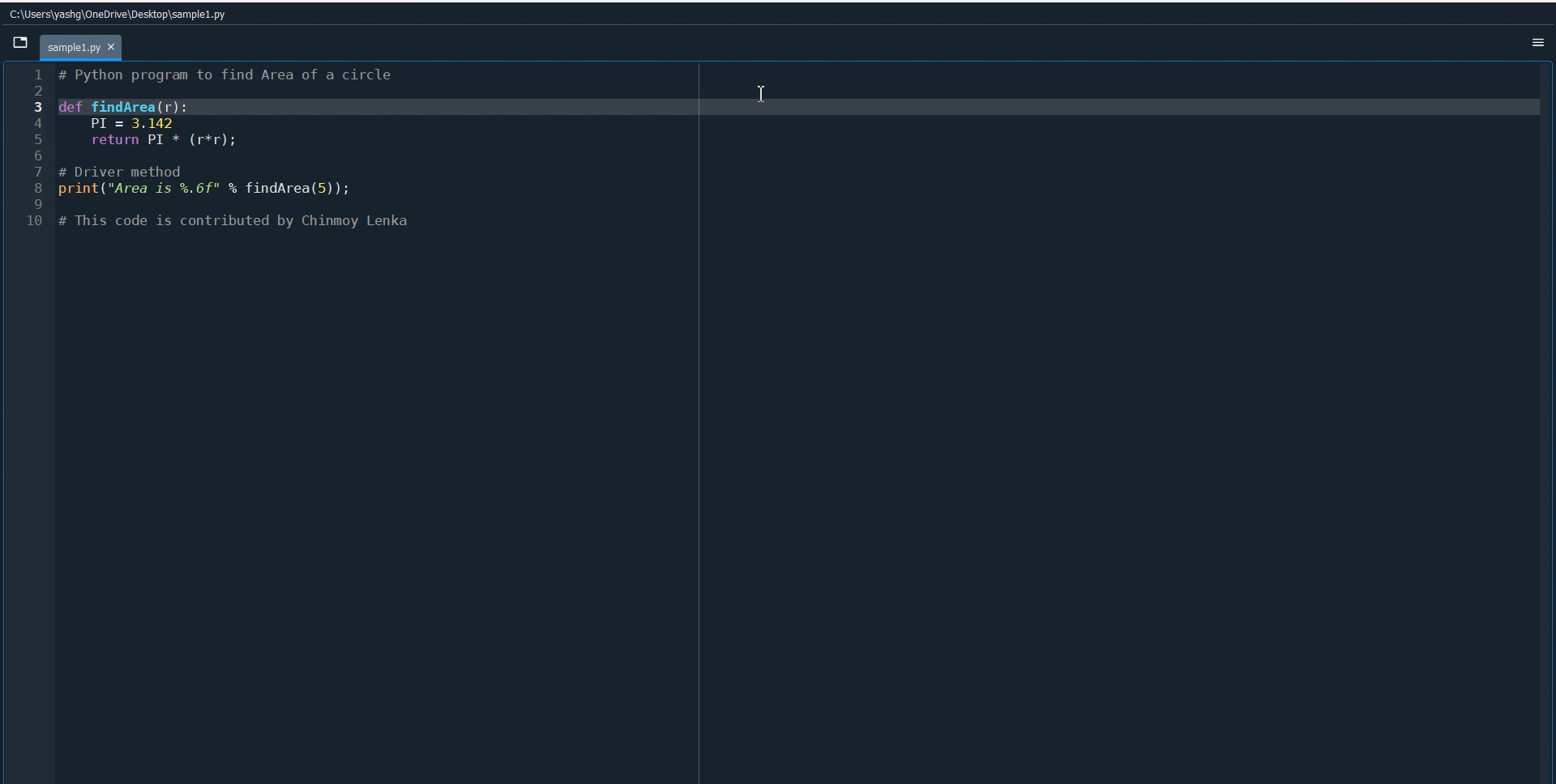  What do you see at coordinates (1538, 40) in the screenshot?
I see `Option` at bounding box center [1538, 40].